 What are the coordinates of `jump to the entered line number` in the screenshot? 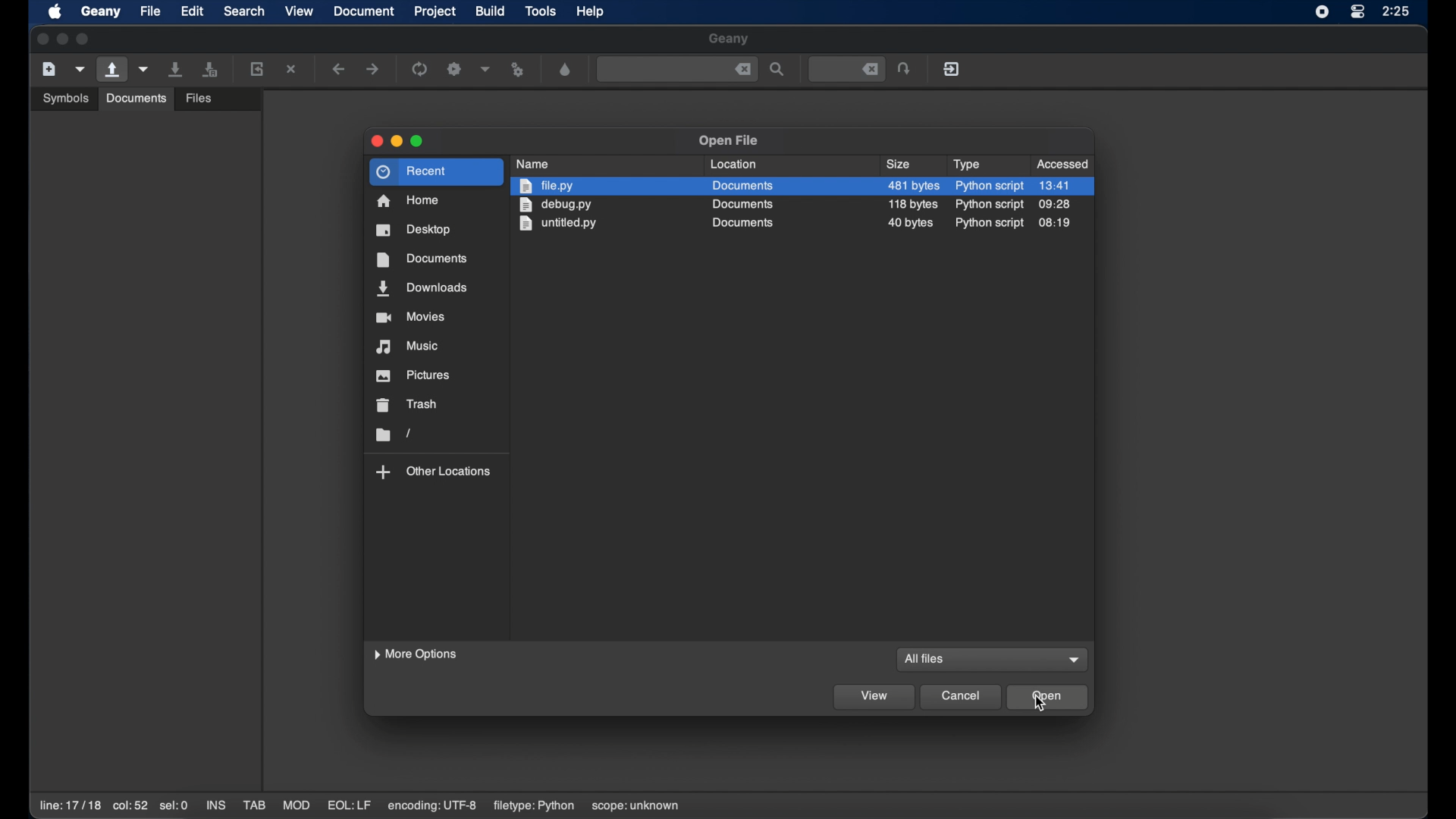 It's located at (846, 69).